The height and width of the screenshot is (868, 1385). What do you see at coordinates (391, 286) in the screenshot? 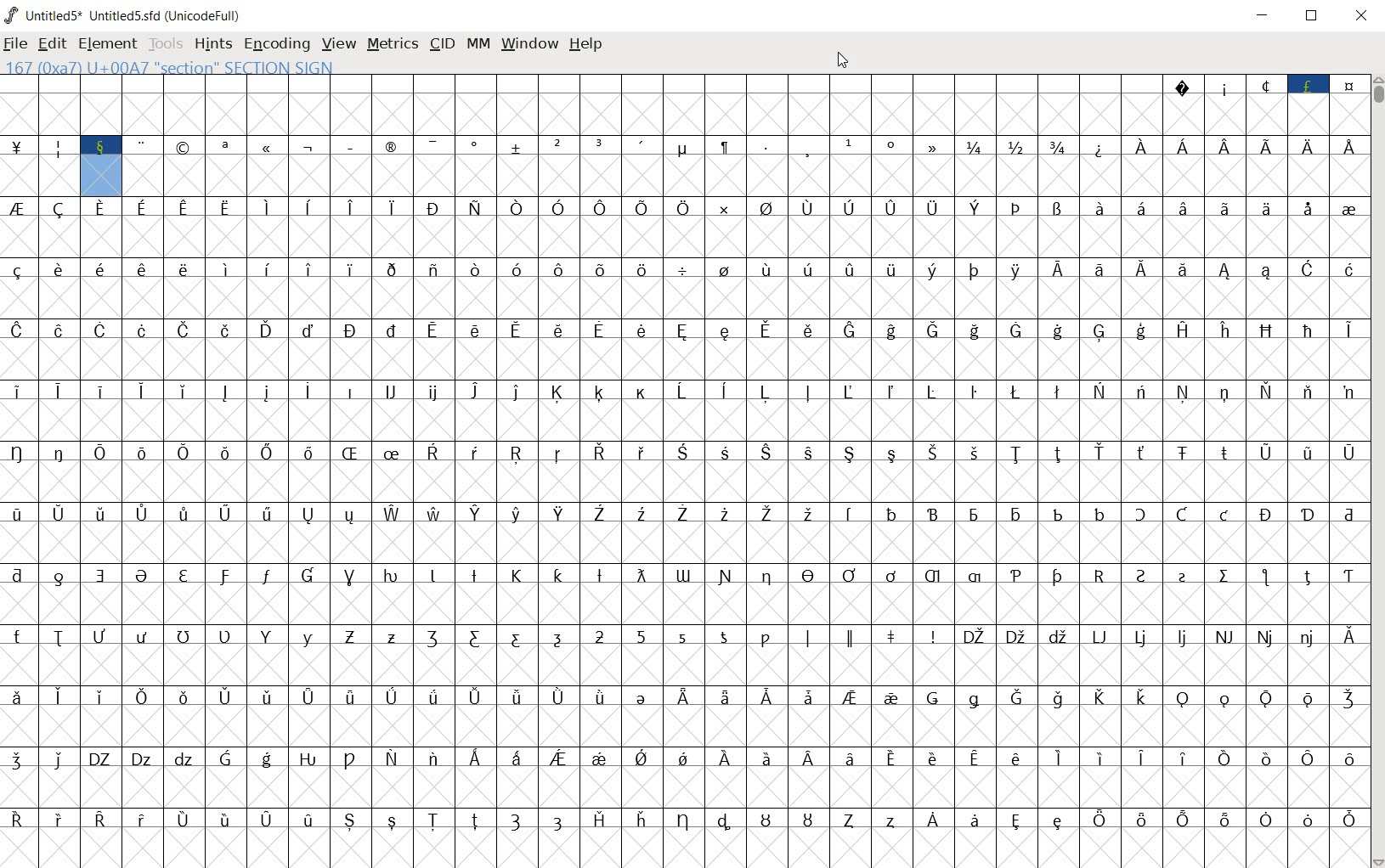
I see `symbols` at bounding box center [391, 286].